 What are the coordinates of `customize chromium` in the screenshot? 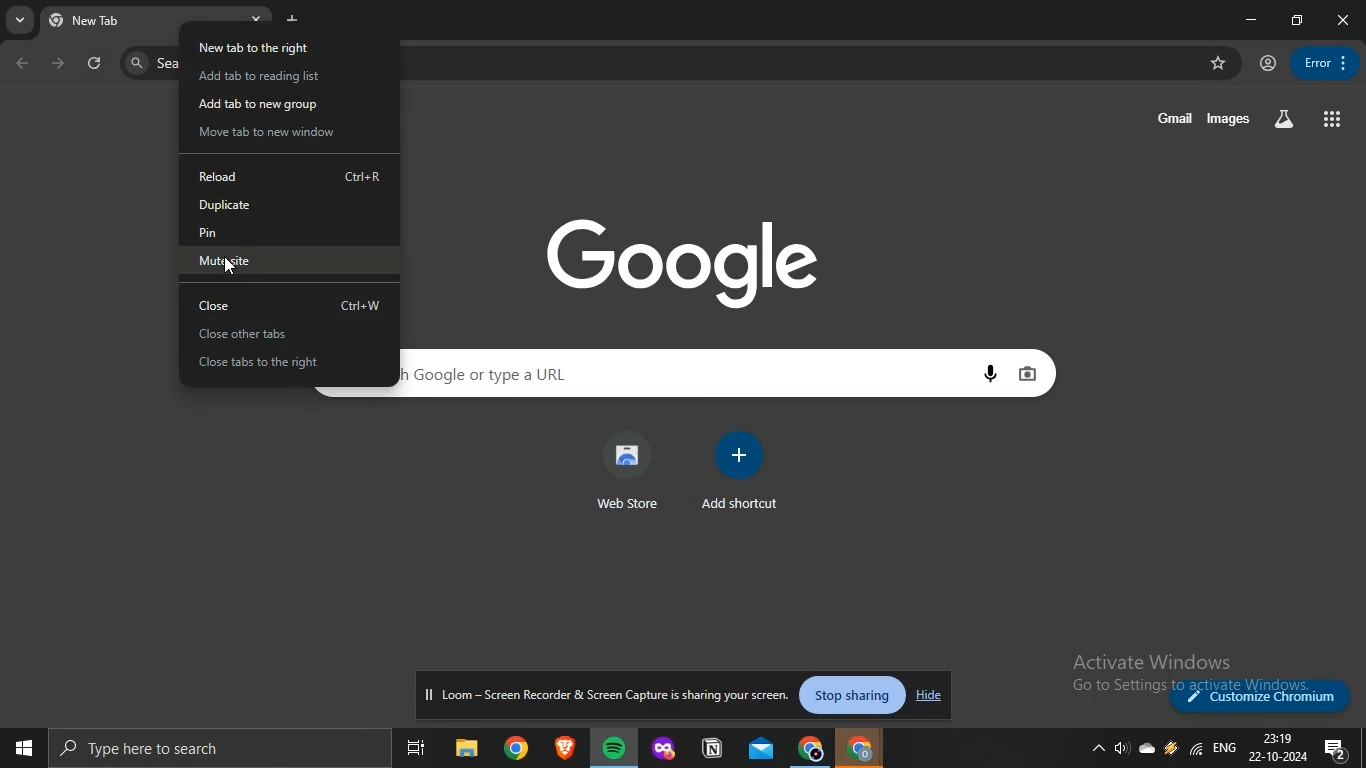 It's located at (1264, 696).